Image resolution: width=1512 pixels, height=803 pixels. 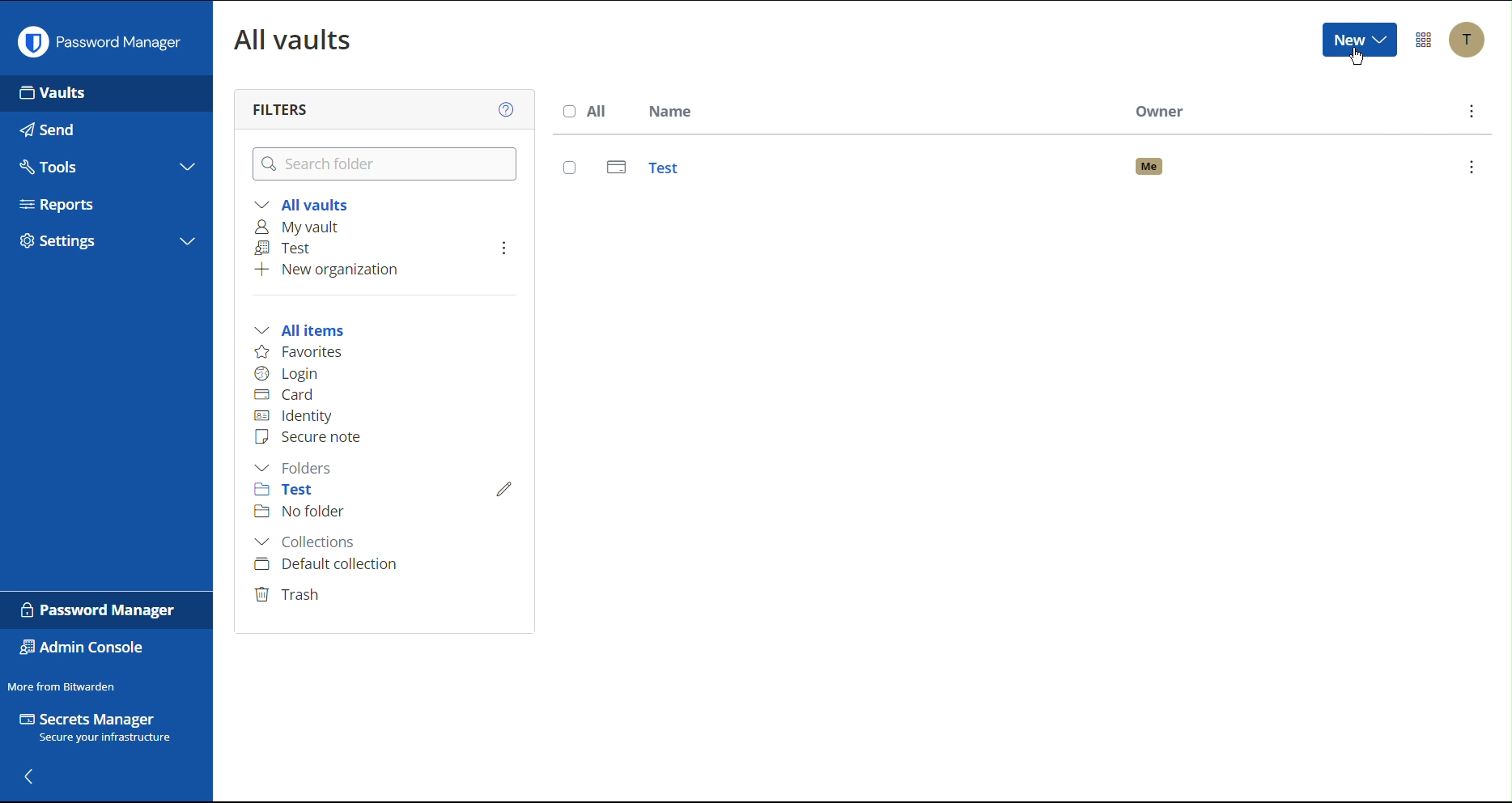 I want to click on Card, so click(x=287, y=393).